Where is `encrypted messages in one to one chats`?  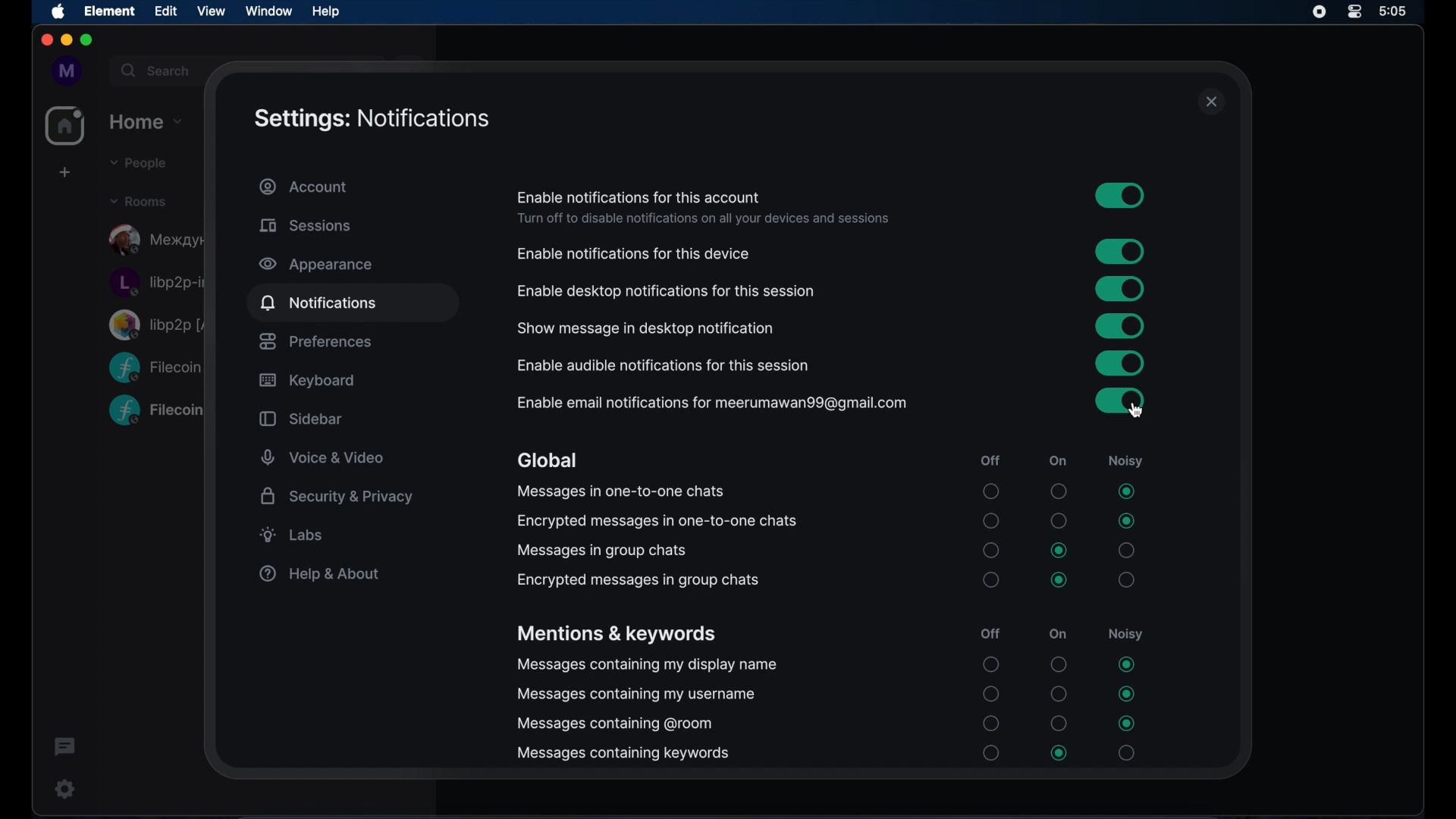
encrypted messages in one to one chats is located at coordinates (657, 520).